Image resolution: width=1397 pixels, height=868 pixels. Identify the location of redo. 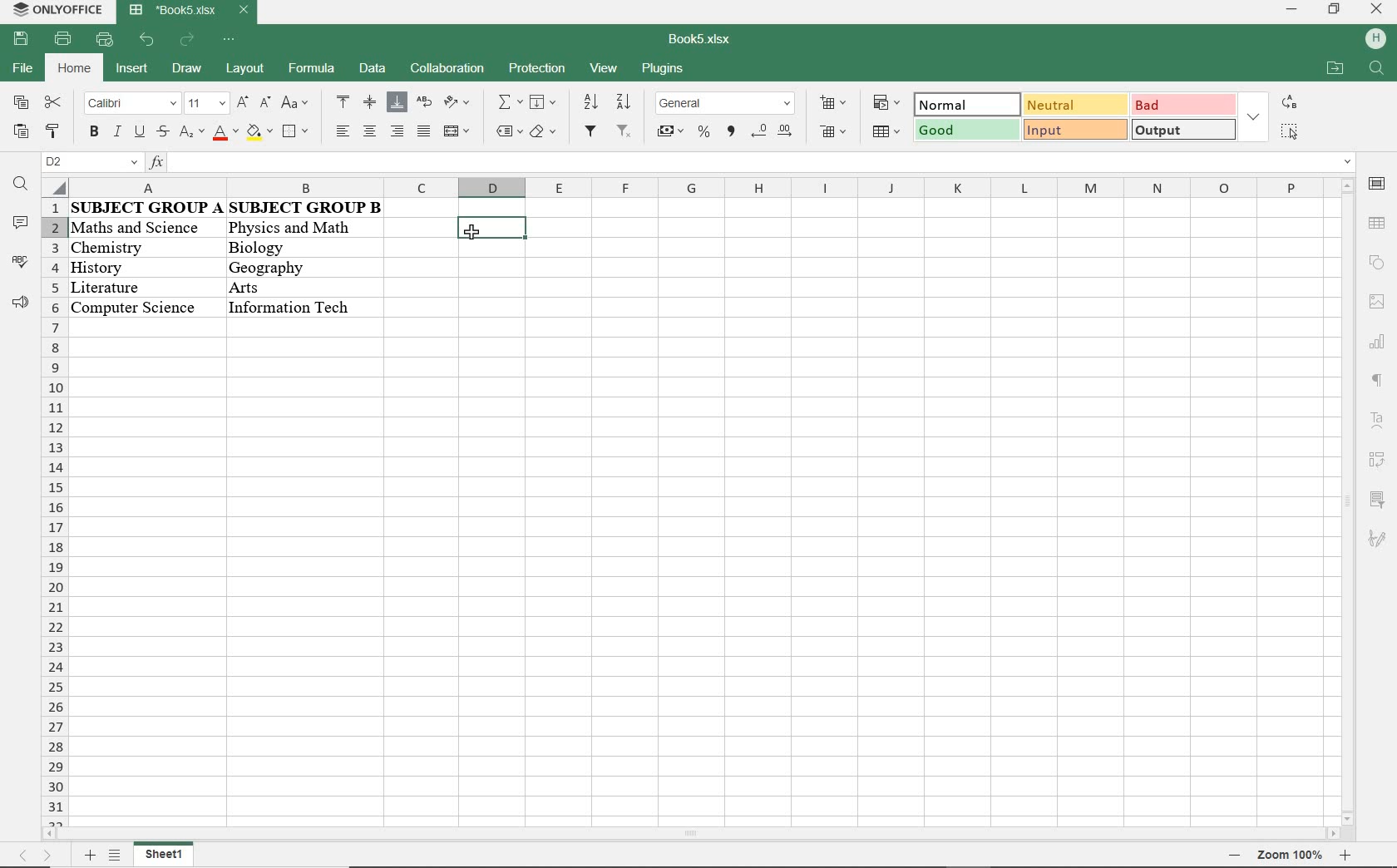
(188, 42).